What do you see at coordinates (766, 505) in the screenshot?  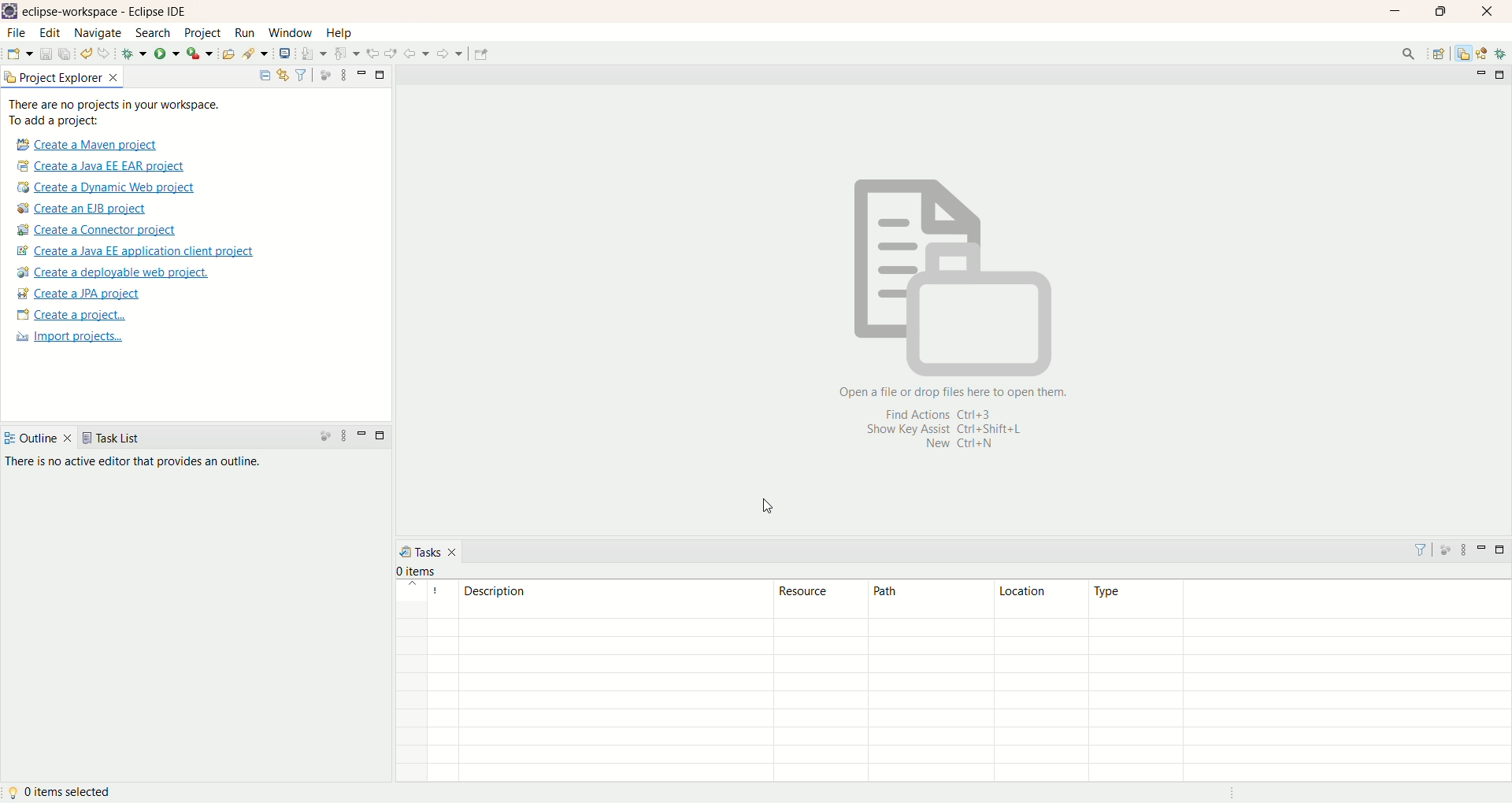 I see `cursor` at bounding box center [766, 505].